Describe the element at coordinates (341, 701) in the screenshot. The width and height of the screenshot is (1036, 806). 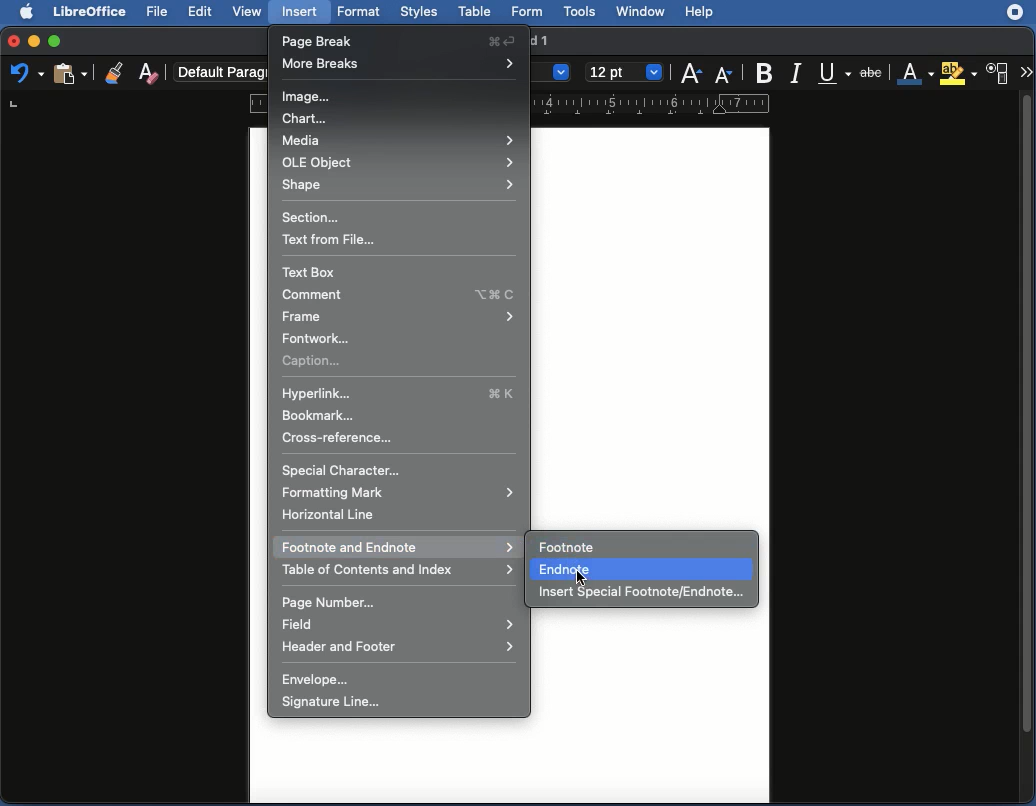
I see `Signature line` at that location.